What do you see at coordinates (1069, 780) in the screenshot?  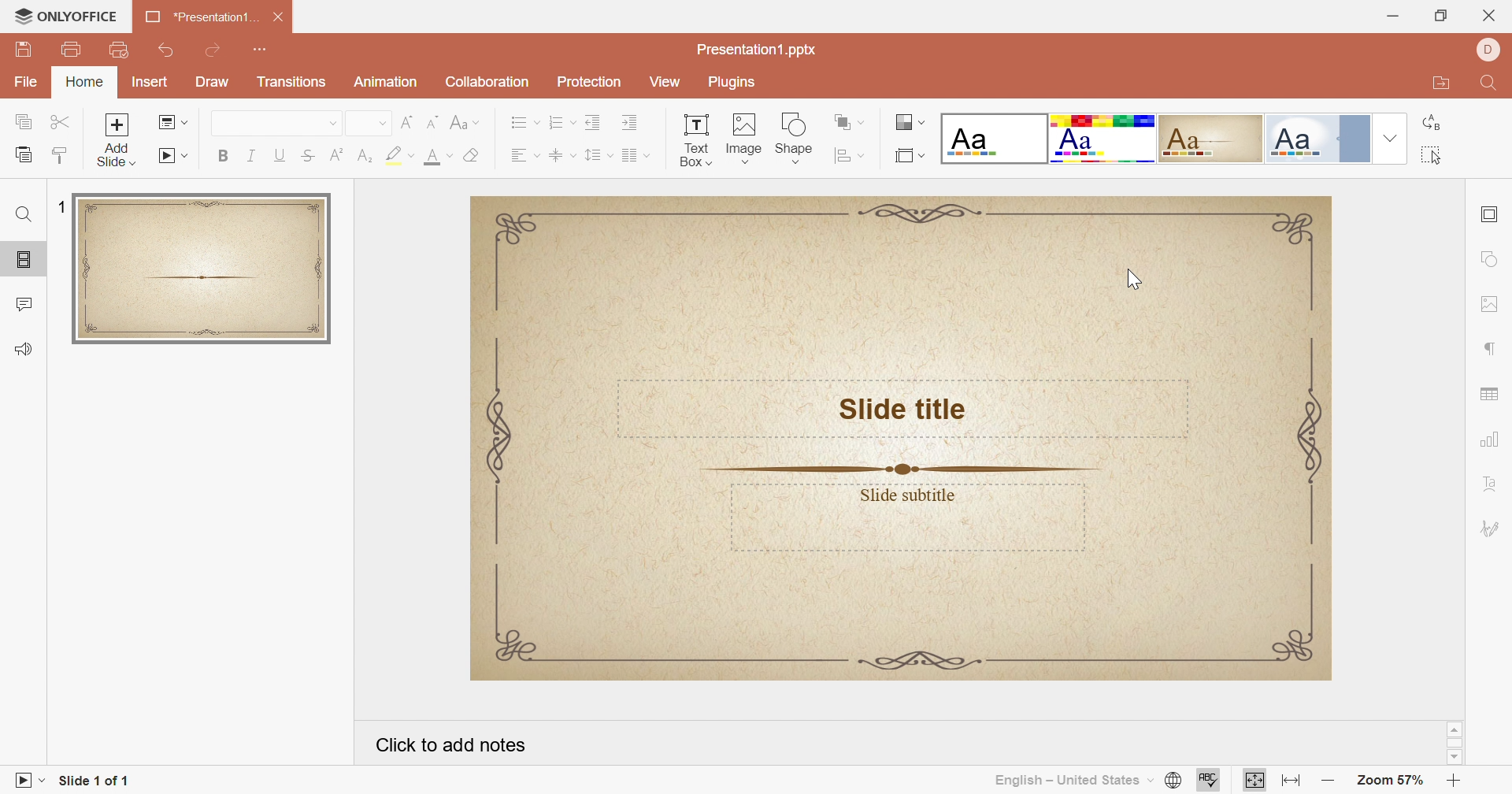 I see `English - United States` at bounding box center [1069, 780].